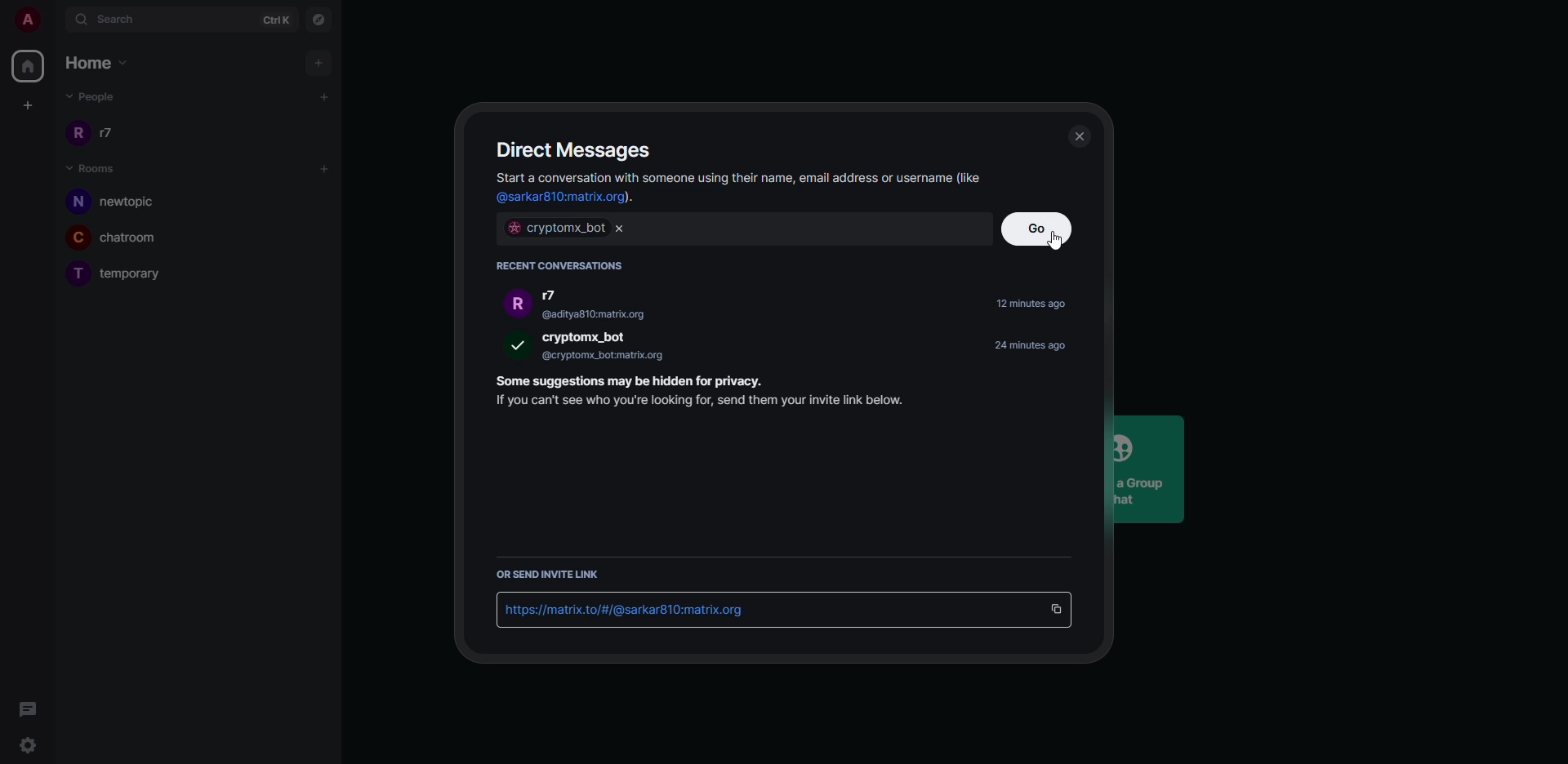 The image size is (1568, 764). What do you see at coordinates (1040, 344) in the screenshot?
I see `time` at bounding box center [1040, 344].